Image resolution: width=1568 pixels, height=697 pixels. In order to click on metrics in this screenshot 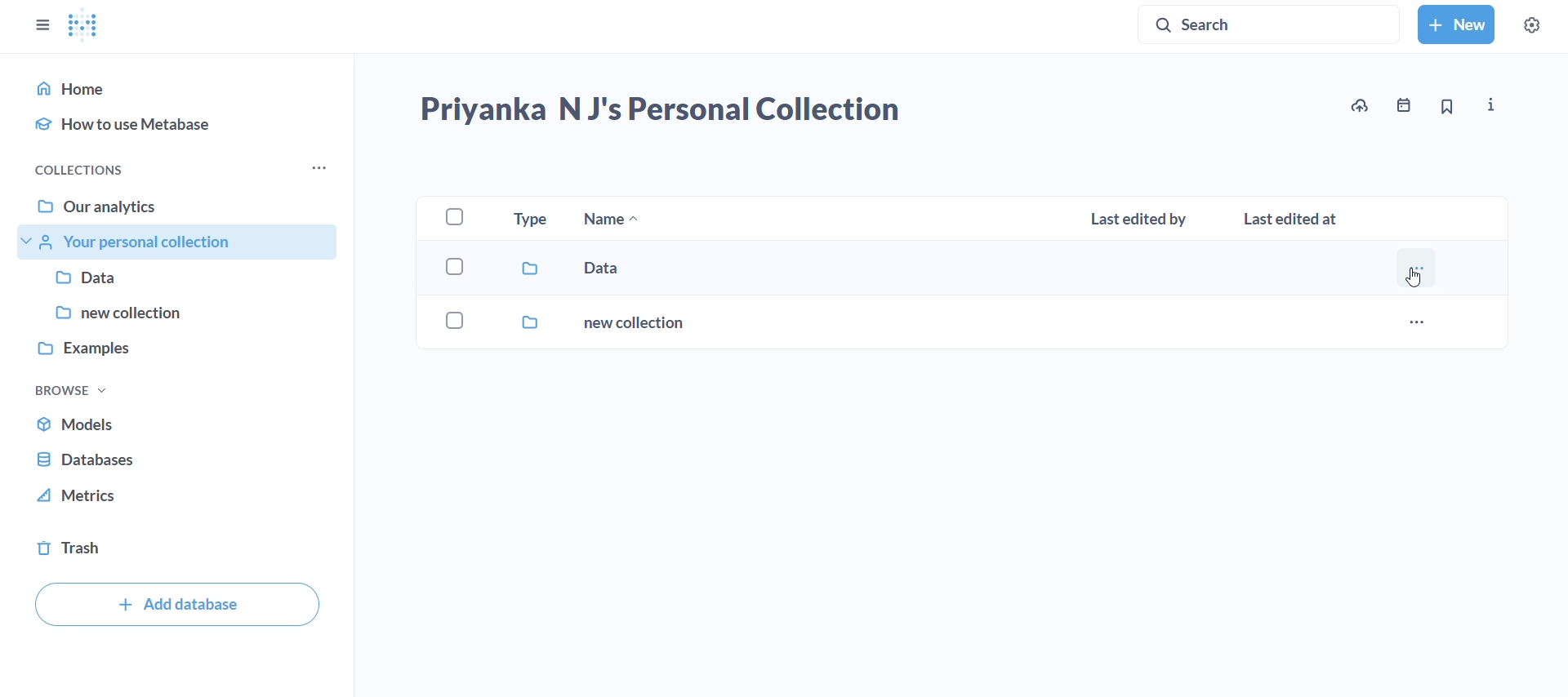, I will do `click(182, 496)`.